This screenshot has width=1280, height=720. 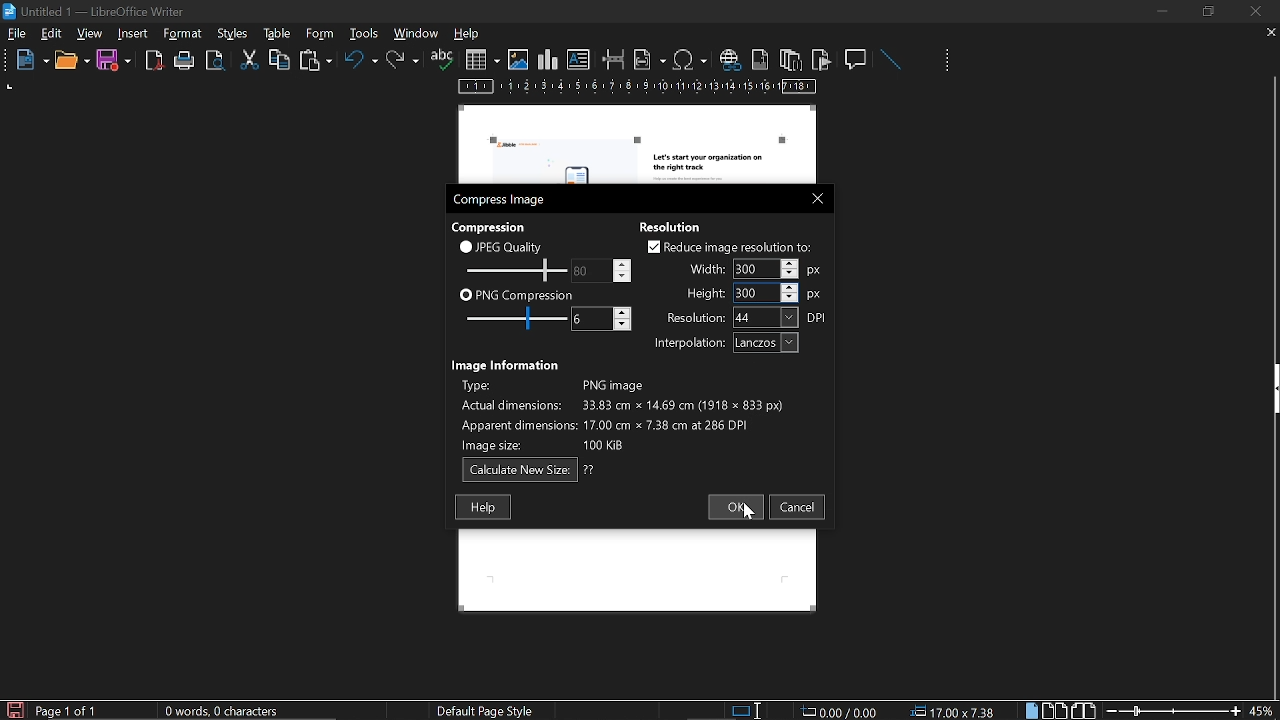 What do you see at coordinates (1271, 34) in the screenshot?
I see `close tab` at bounding box center [1271, 34].